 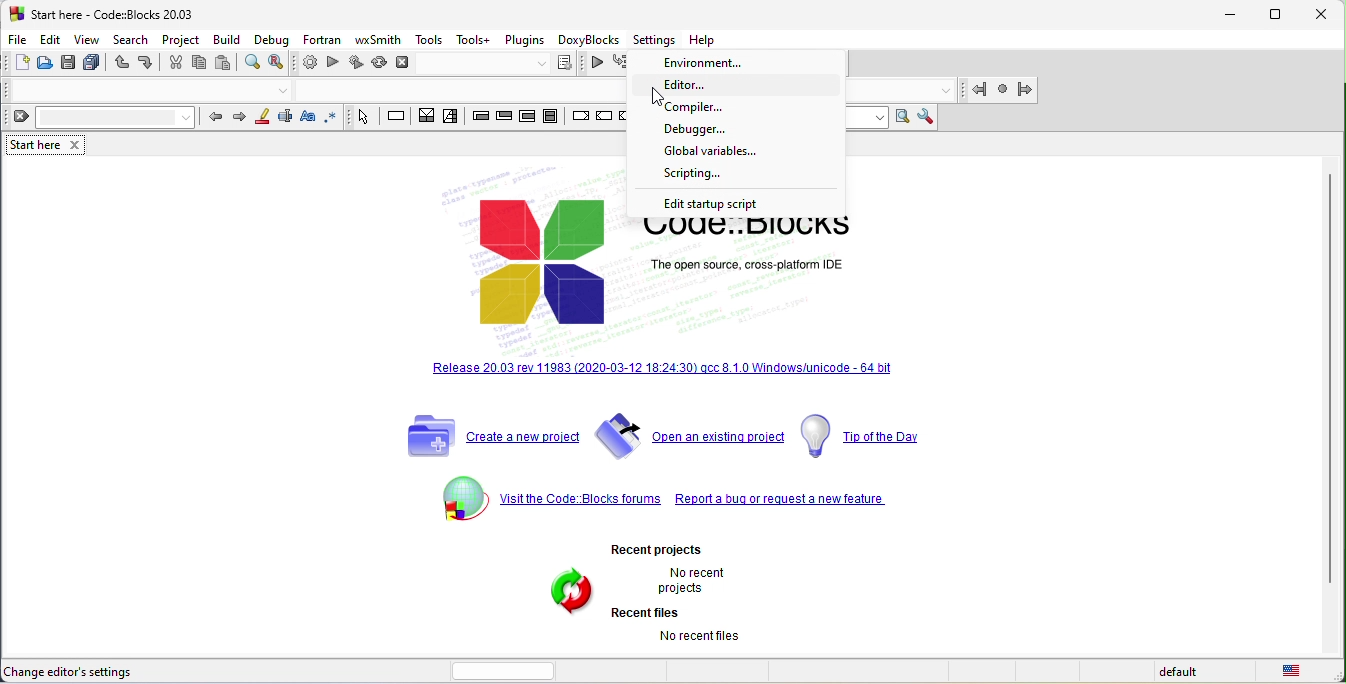 What do you see at coordinates (721, 131) in the screenshot?
I see `debugger` at bounding box center [721, 131].